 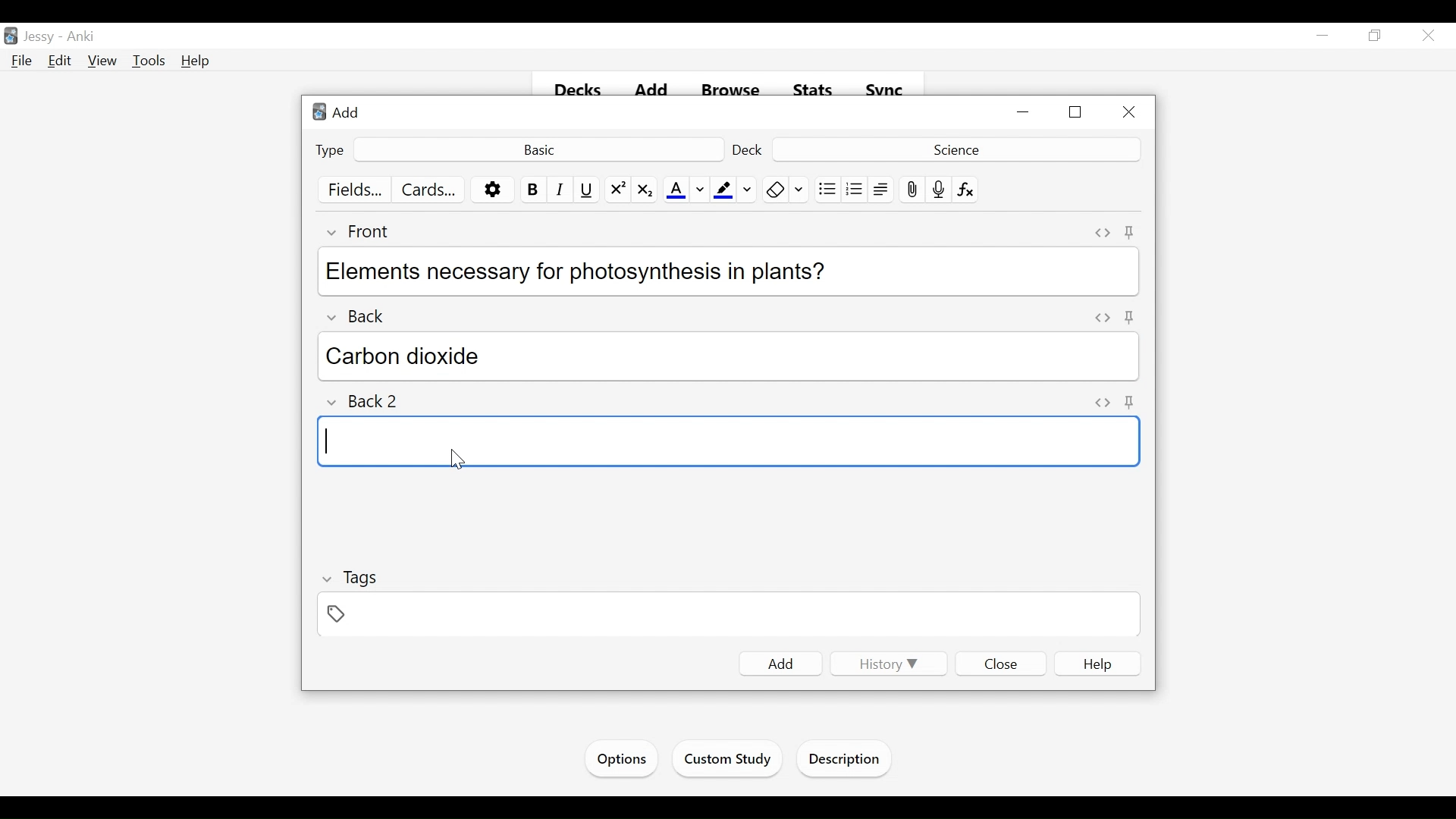 What do you see at coordinates (729, 761) in the screenshot?
I see `Custom Study` at bounding box center [729, 761].